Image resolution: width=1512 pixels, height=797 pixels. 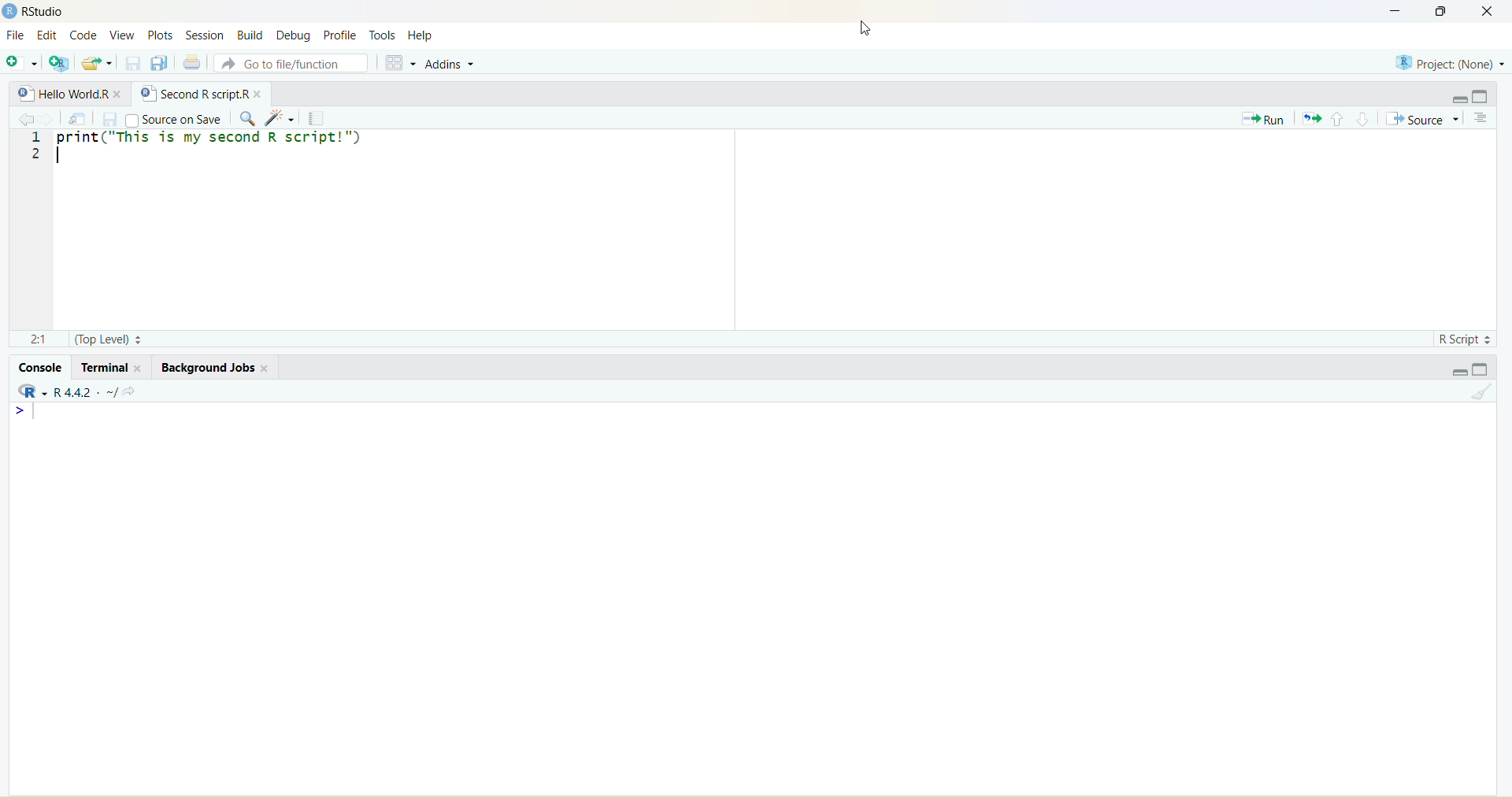 I want to click on Session, so click(x=204, y=34).